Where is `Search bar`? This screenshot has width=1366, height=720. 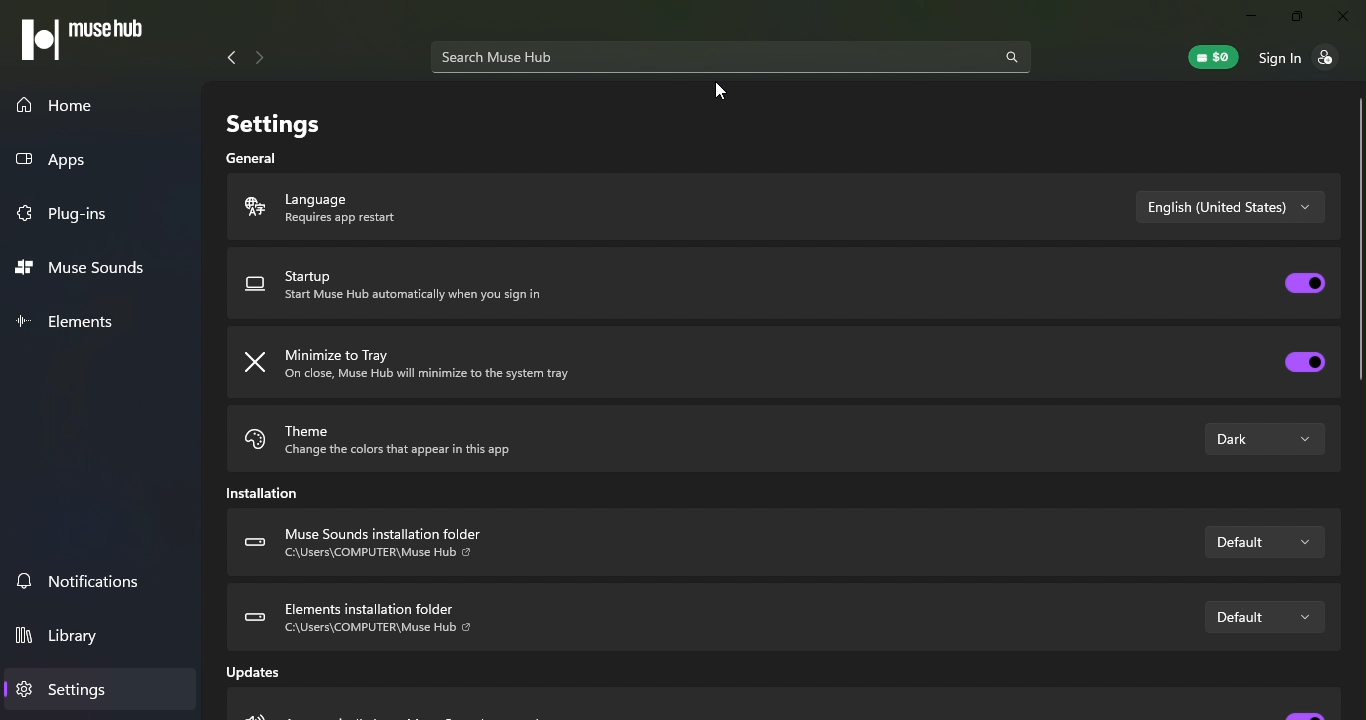
Search bar is located at coordinates (732, 60).